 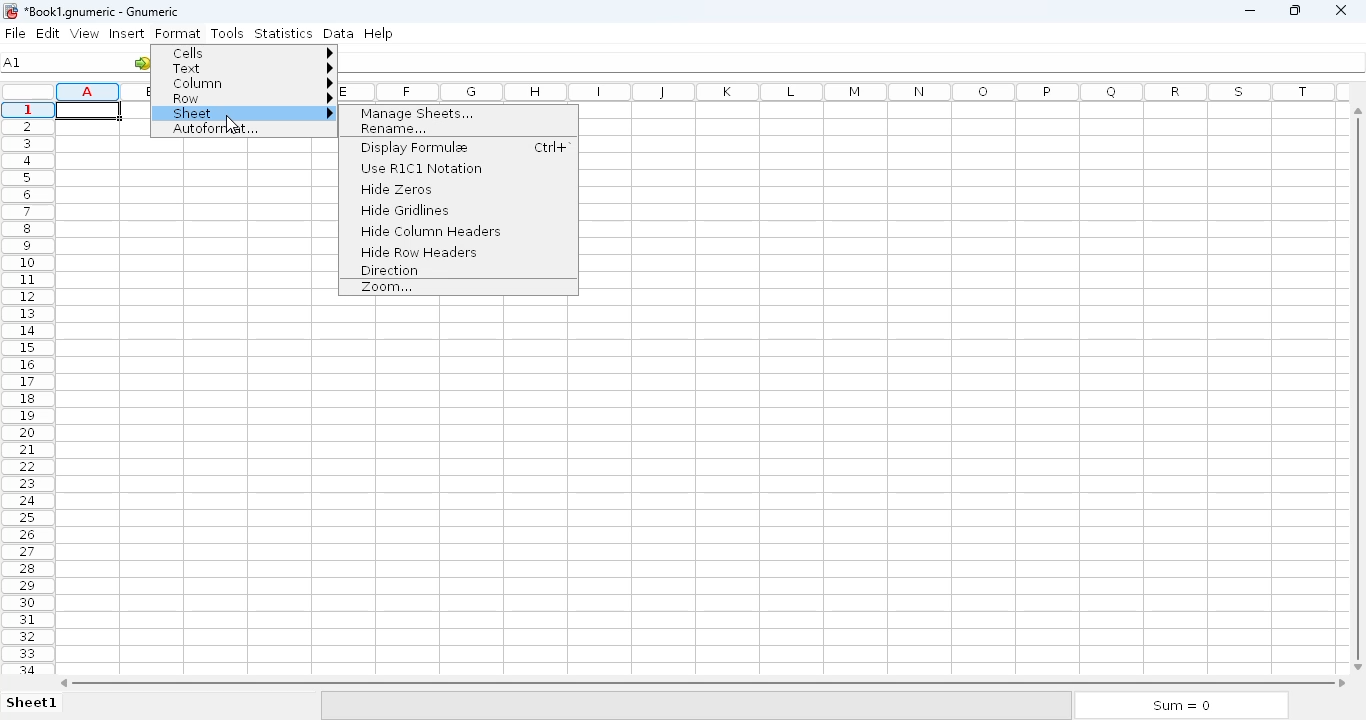 What do you see at coordinates (396, 129) in the screenshot?
I see `rename` at bounding box center [396, 129].